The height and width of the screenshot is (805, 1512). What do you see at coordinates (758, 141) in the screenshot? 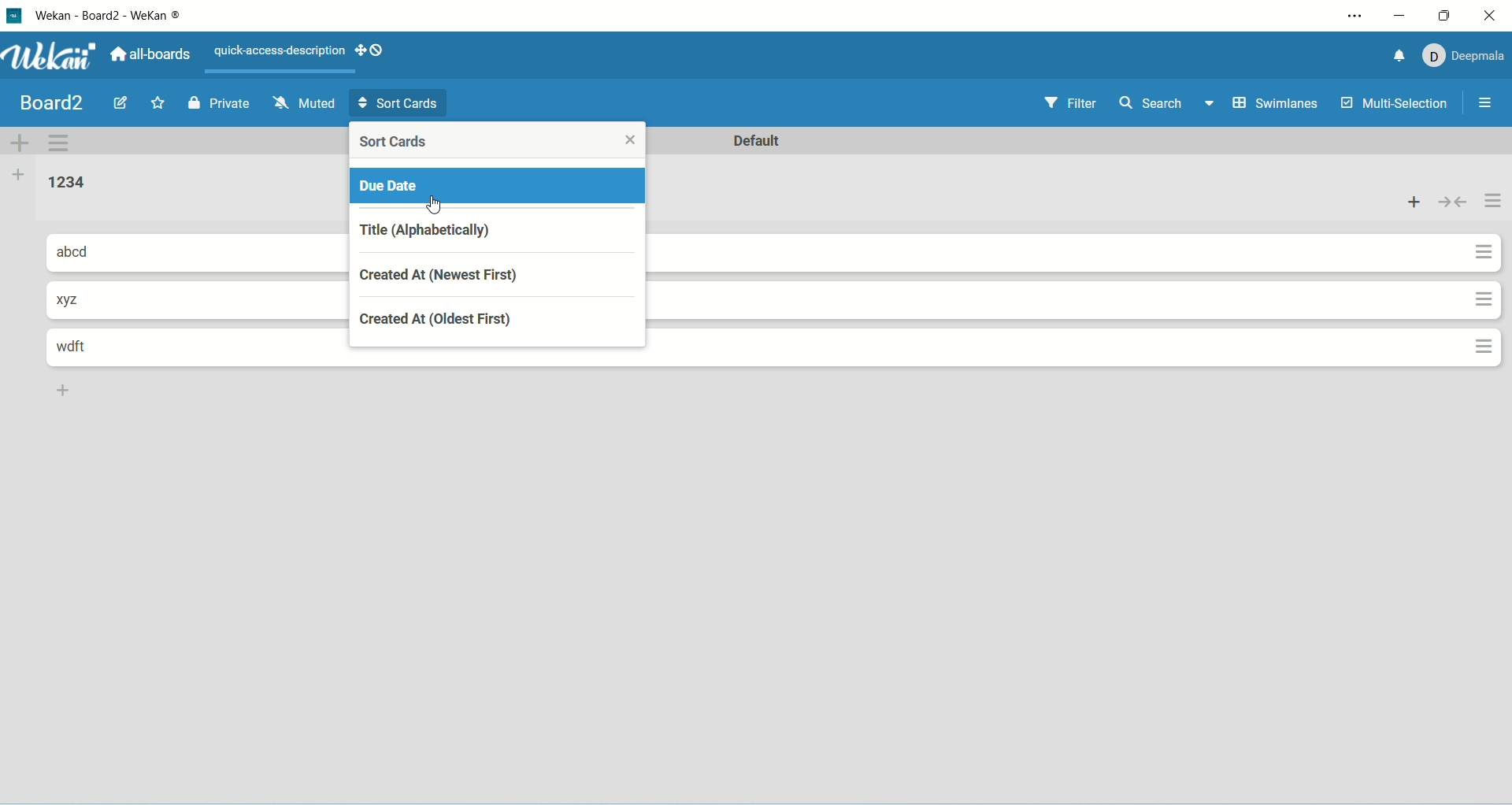
I see `default` at bounding box center [758, 141].